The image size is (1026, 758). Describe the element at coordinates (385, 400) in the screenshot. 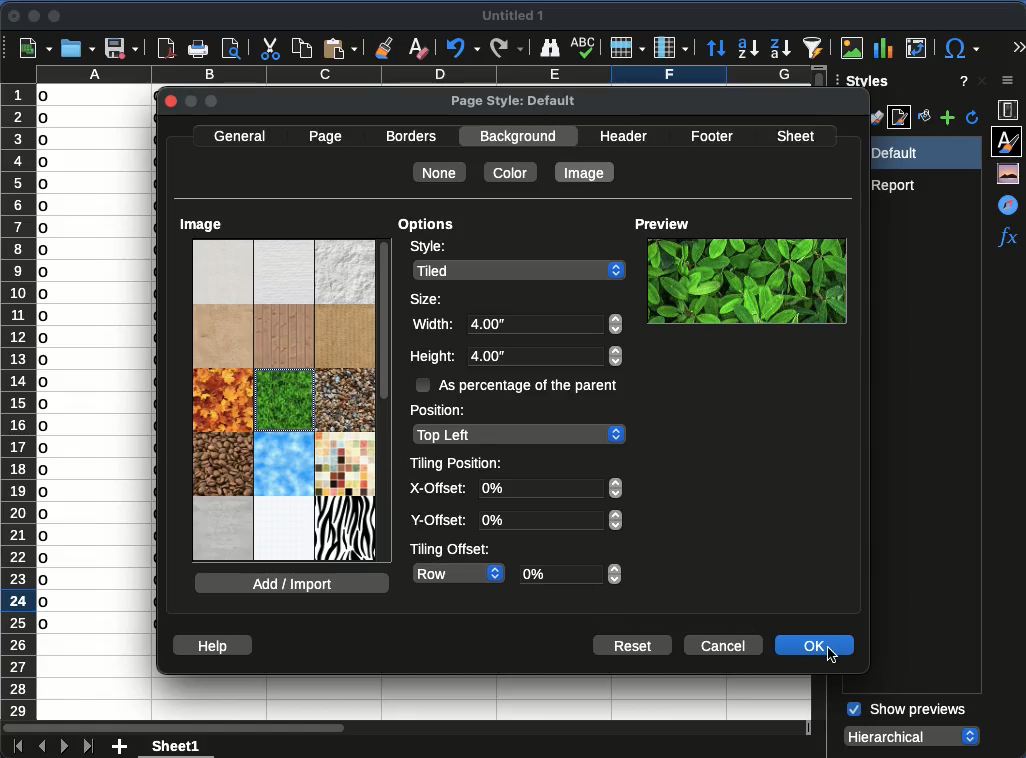

I see `scroll` at that location.